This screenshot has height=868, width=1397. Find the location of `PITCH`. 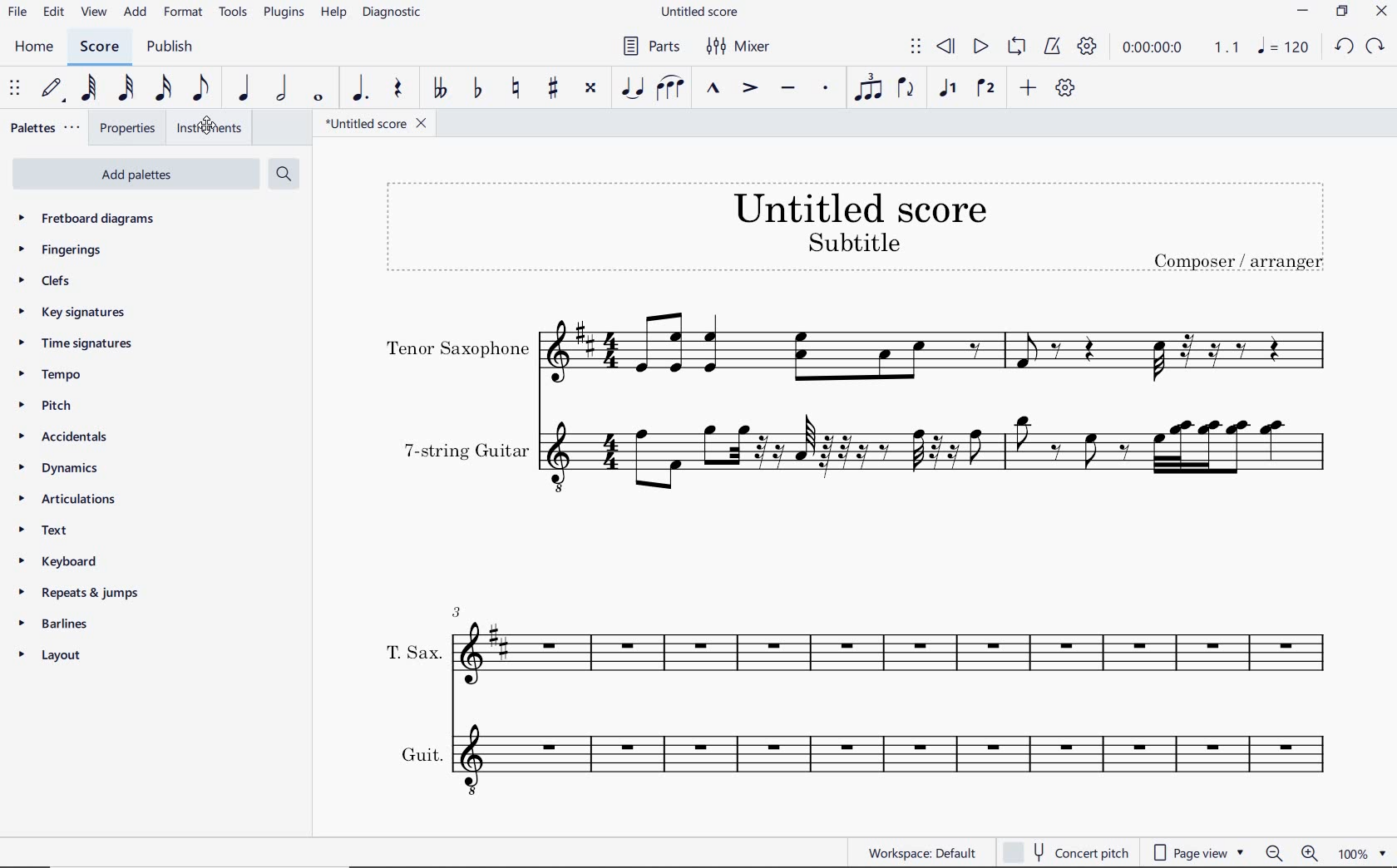

PITCH is located at coordinates (46, 406).